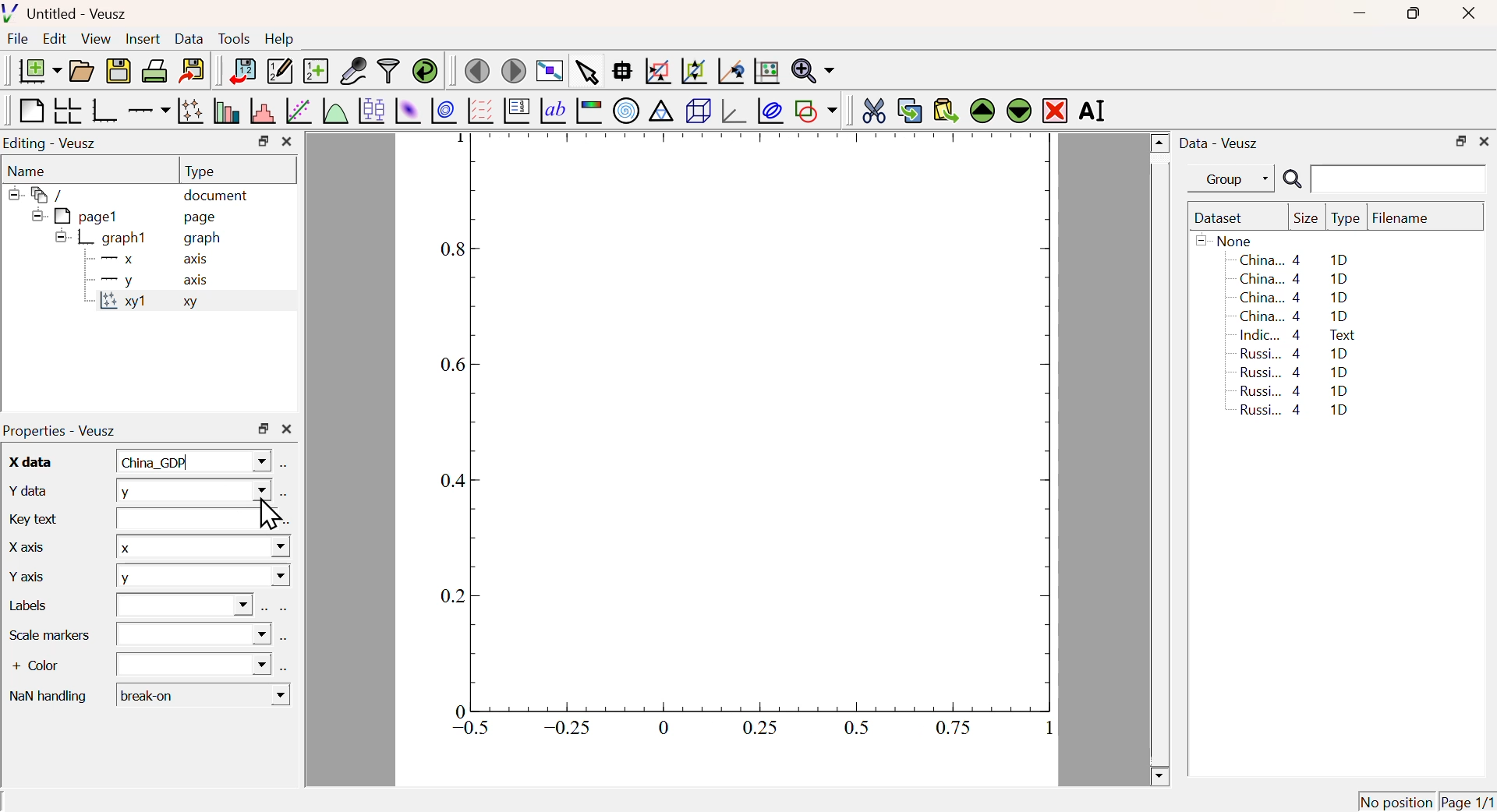  What do you see at coordinates (278, 72) in the screenshot?
I see `Edit or add new data sets` at bounding box center [278, 72].